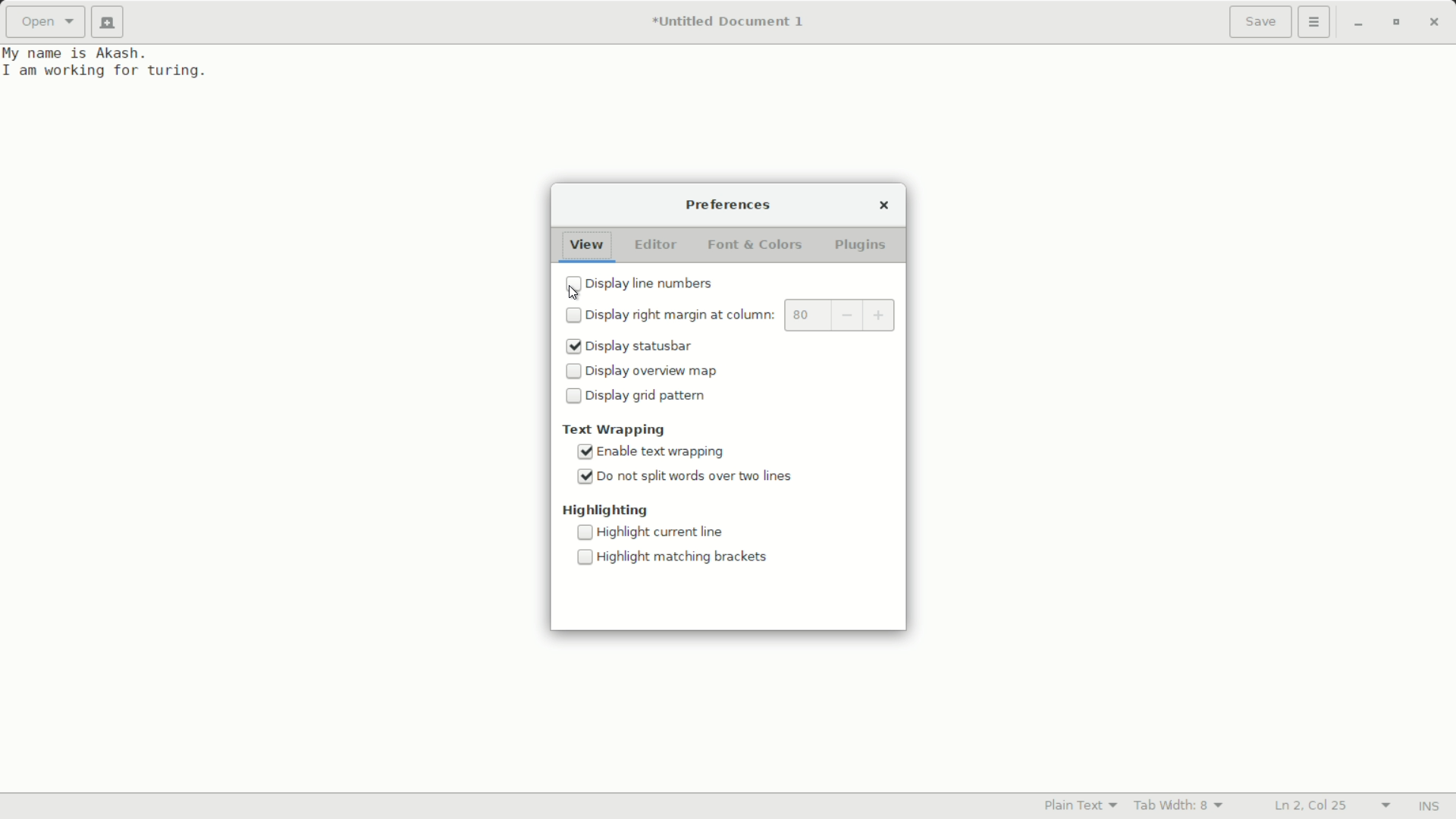 The height and width of the screenshot is (819, 1456). Describe the element at coordinates (1081, 805) in the screenshot. I see `text mode` at that location.